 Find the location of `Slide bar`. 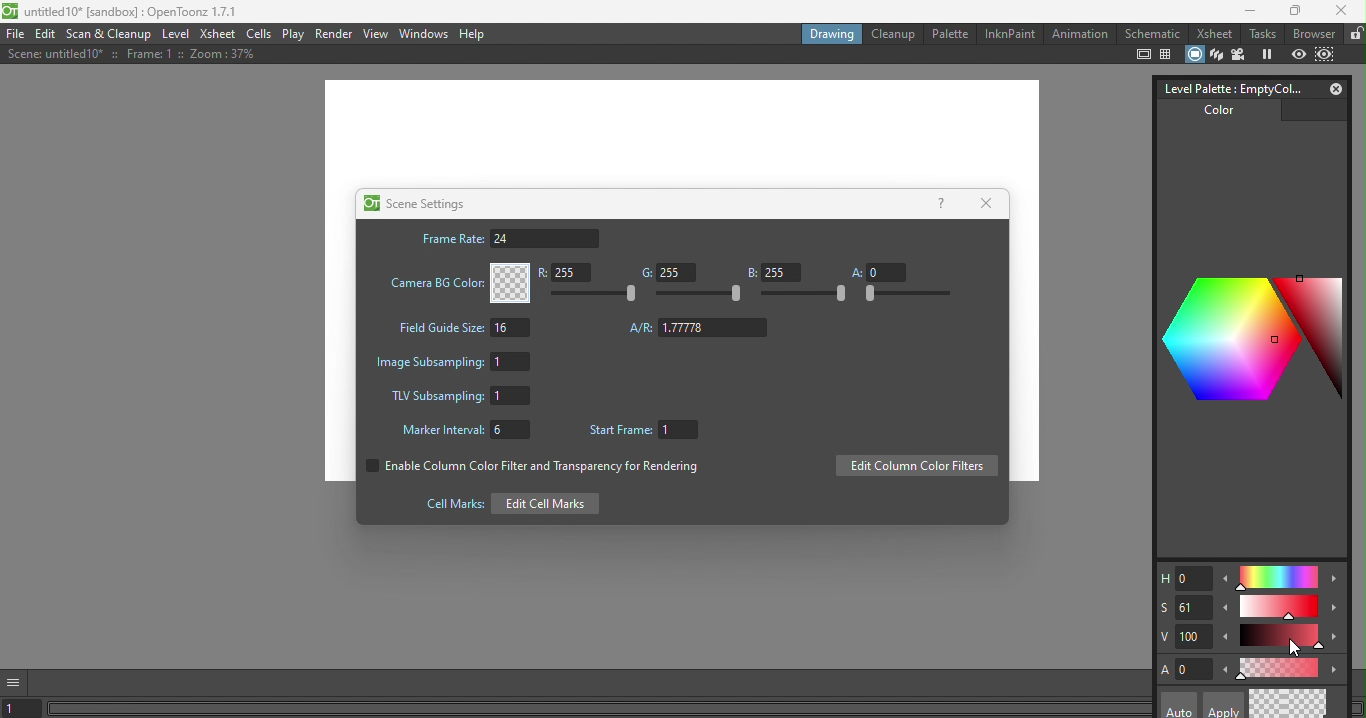

Slide bar is located at coordinates (805, 295).